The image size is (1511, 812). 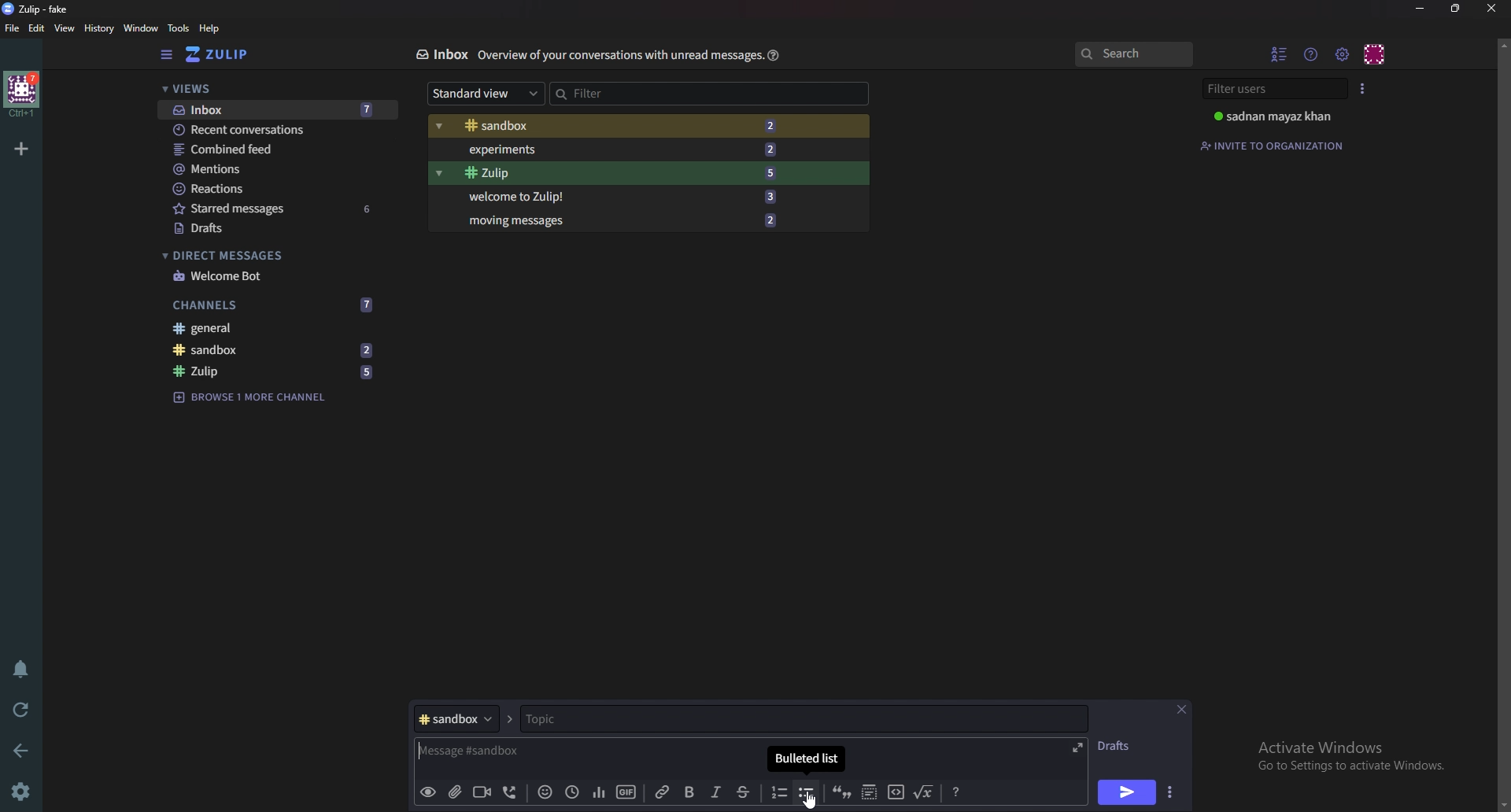 What do you see at coordinates (228, 54) in the screenshot?
I see `Home view` at bounding box center [228, 54].